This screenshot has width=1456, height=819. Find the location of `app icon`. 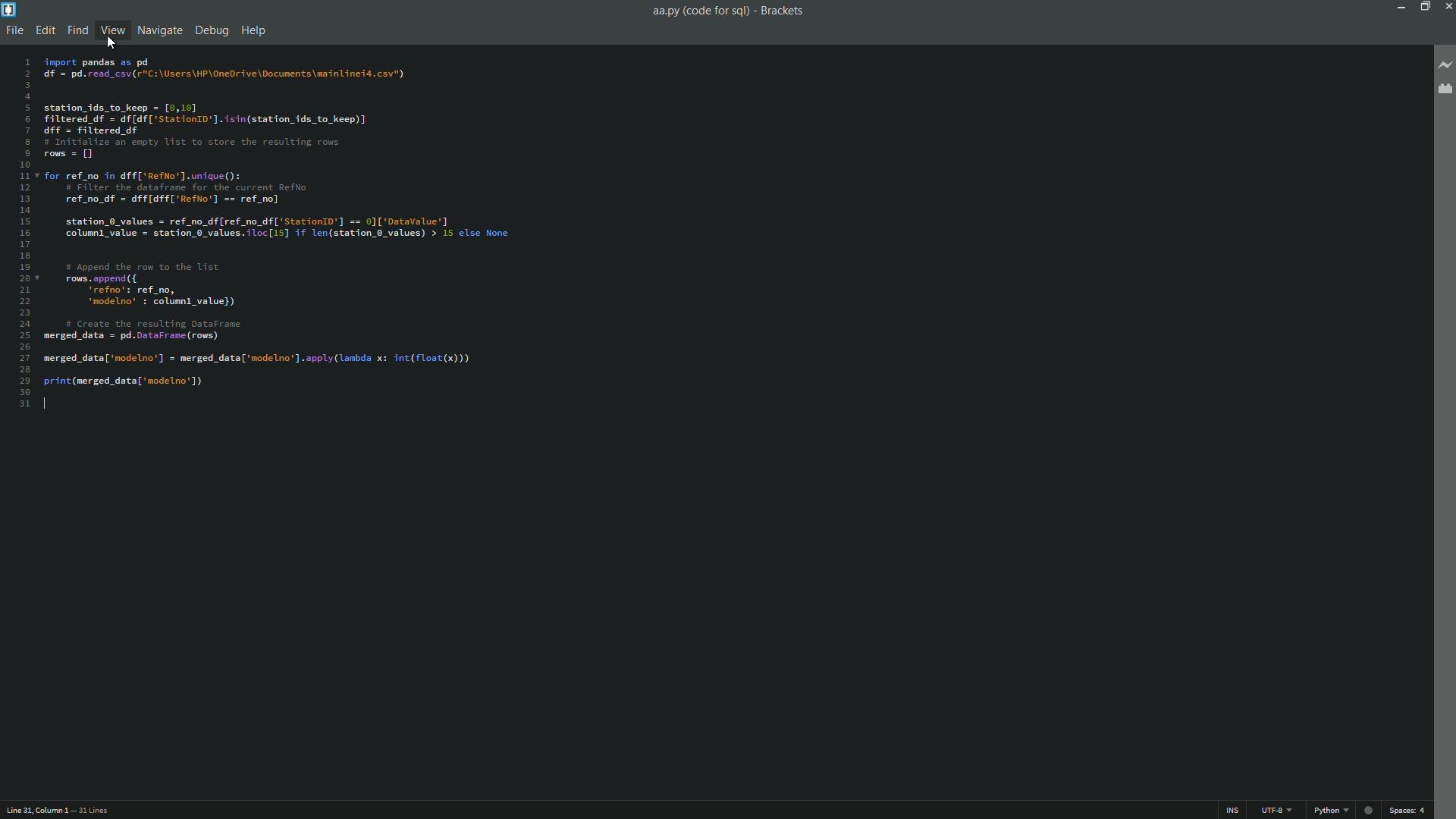

app icon is located at coordinates (8, 11).